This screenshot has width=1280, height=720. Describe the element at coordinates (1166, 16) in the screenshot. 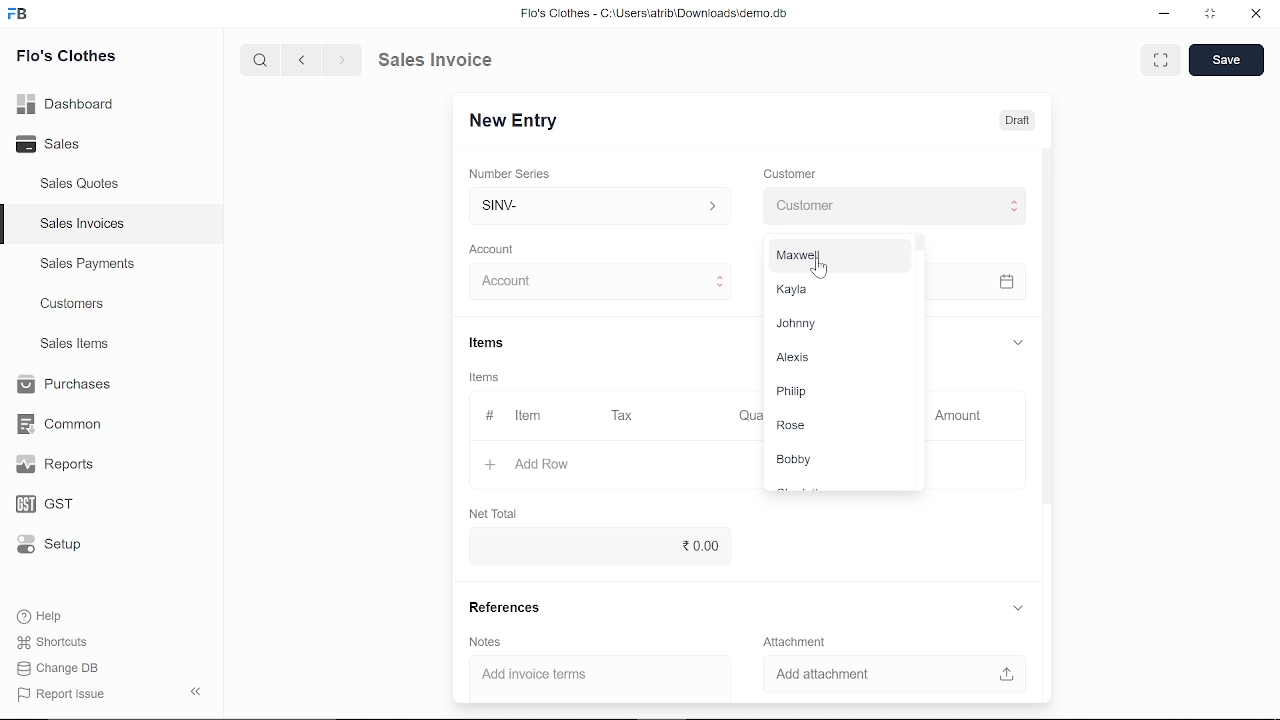

I see `minimize` at that location.